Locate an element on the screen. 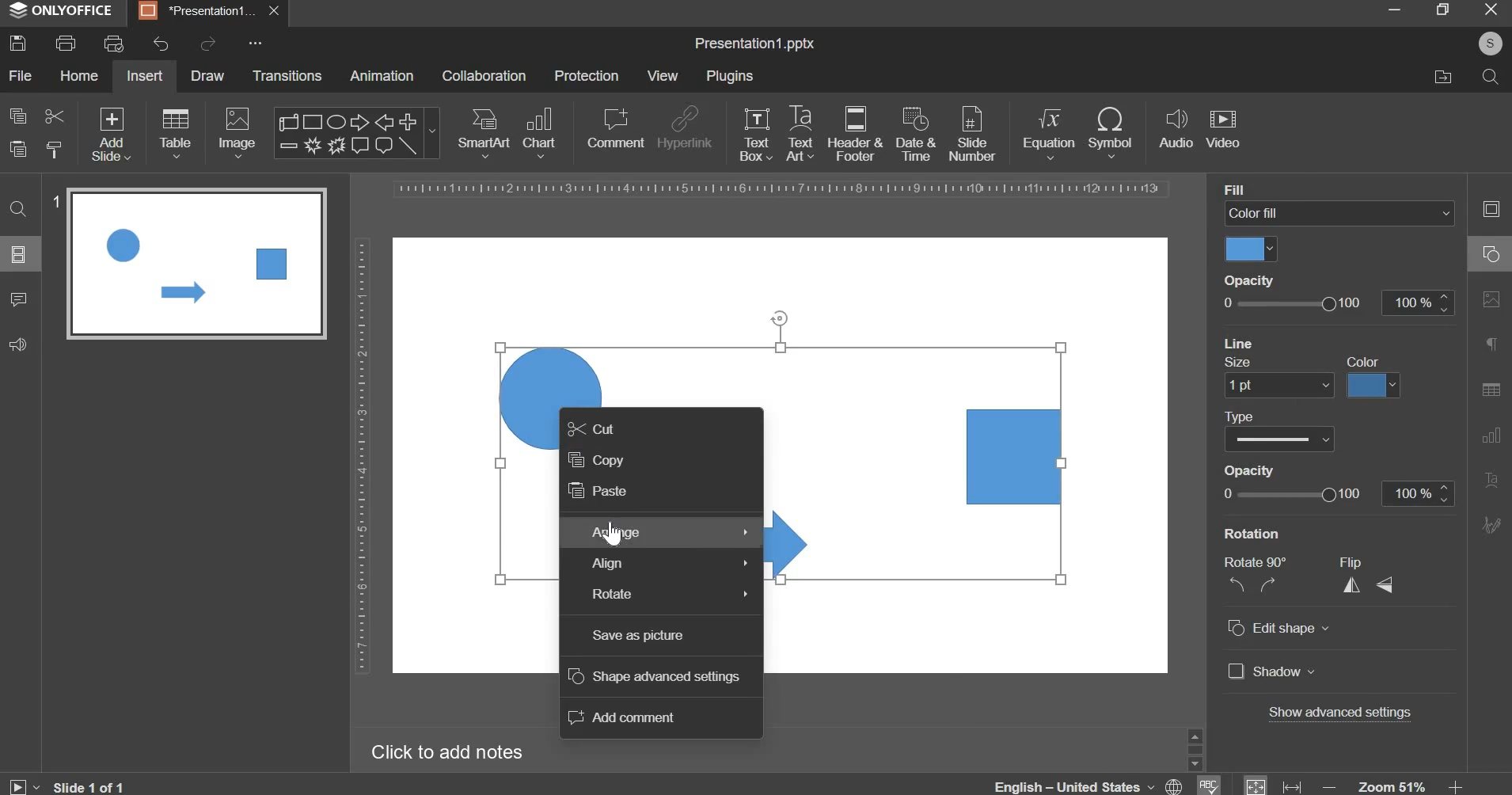 This screenshot has width=1512, height=795. fit to width is located at coordinates (1294, 786).